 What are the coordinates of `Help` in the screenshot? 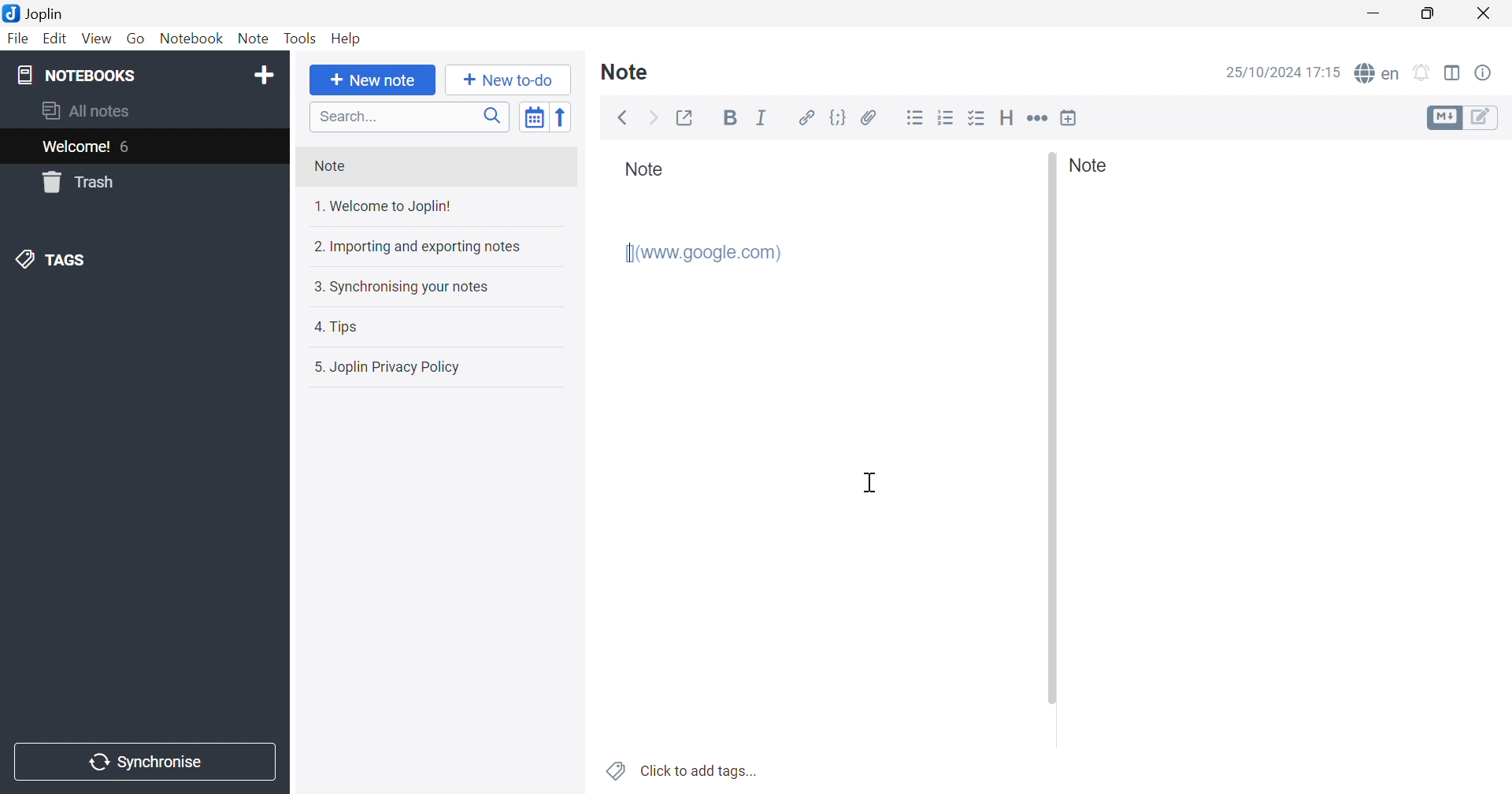 It's located at (345, 40).